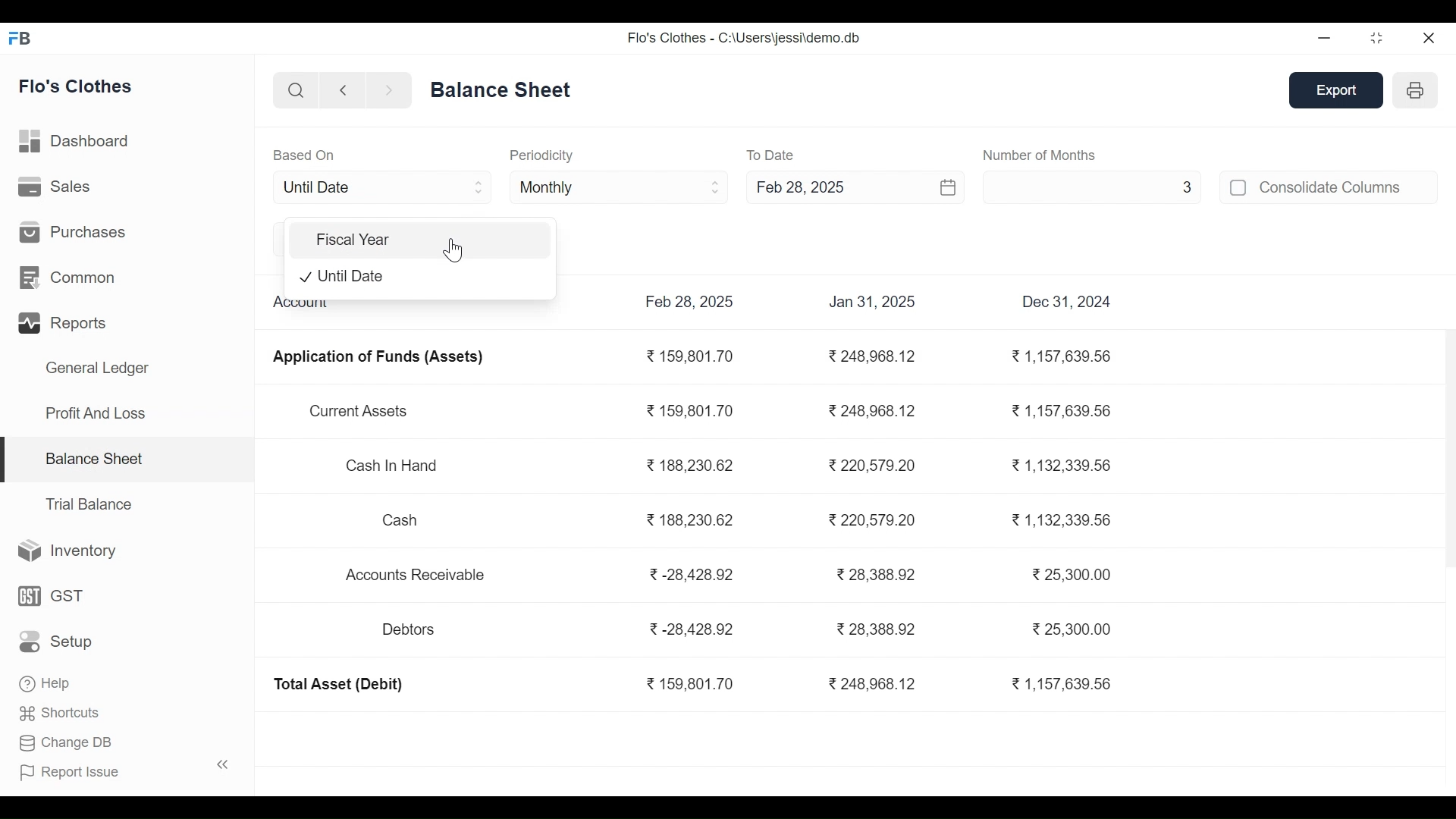  What do you see at coordinates (66, 741) in the screenshot?
I see `Change DB` at bounding box center [66, 741].